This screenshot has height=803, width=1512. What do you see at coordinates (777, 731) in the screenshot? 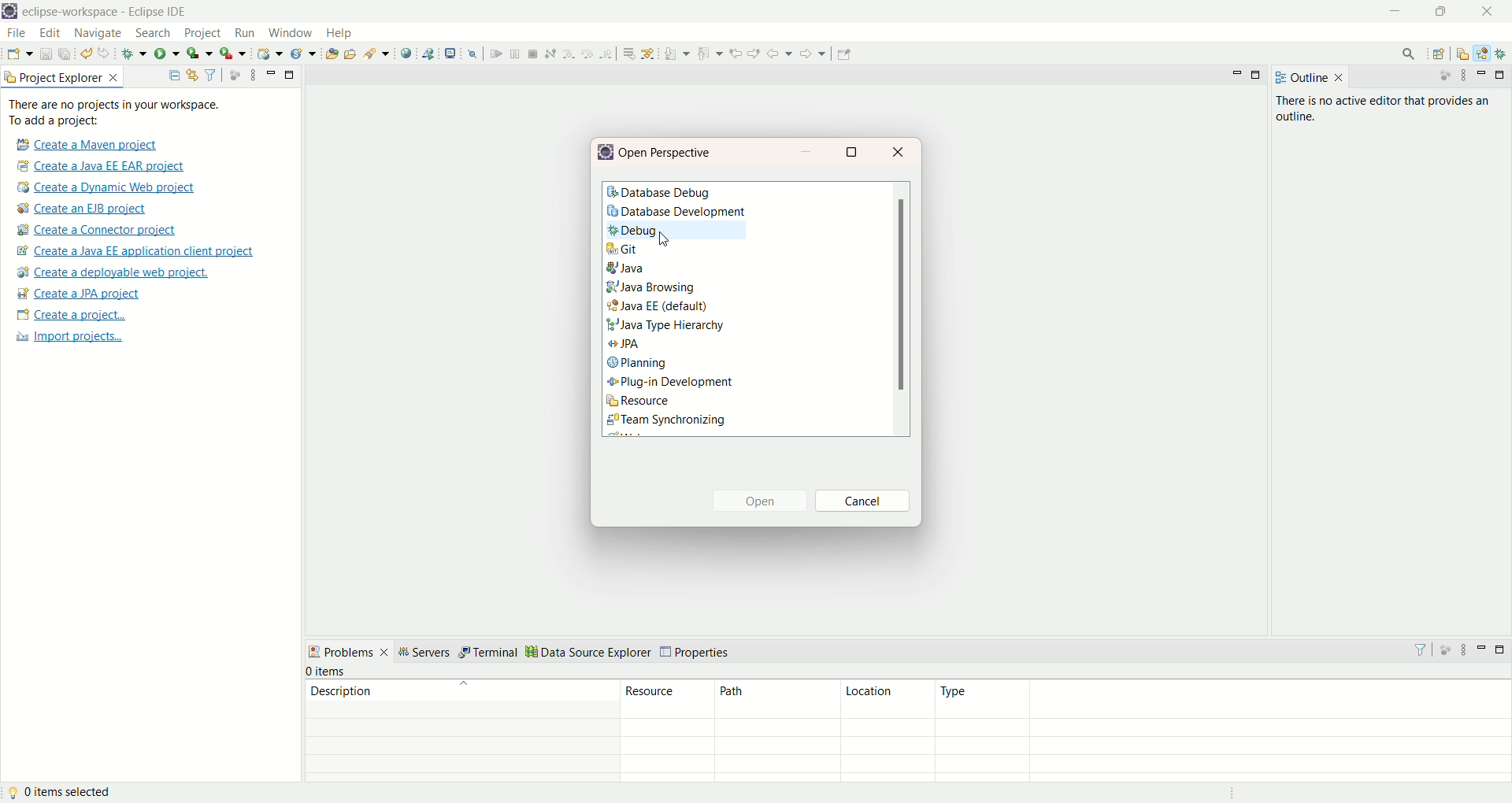
I see `path` at bounding box center [777, 731].